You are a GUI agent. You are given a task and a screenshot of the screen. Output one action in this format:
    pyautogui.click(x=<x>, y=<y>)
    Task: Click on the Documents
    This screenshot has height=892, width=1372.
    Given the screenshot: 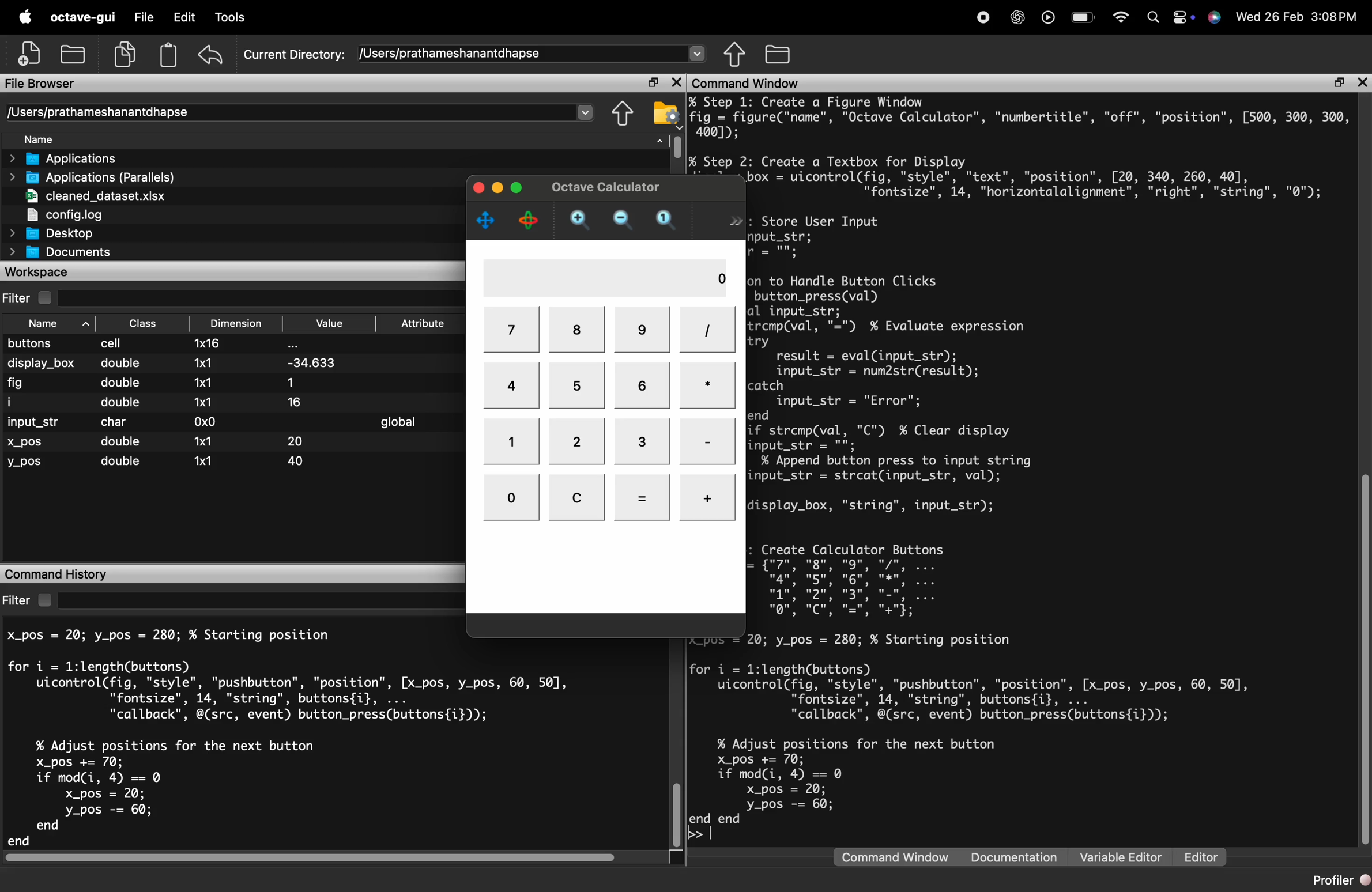 What is the action you would take?
    pyautogui.click(x=58, y=252)
    